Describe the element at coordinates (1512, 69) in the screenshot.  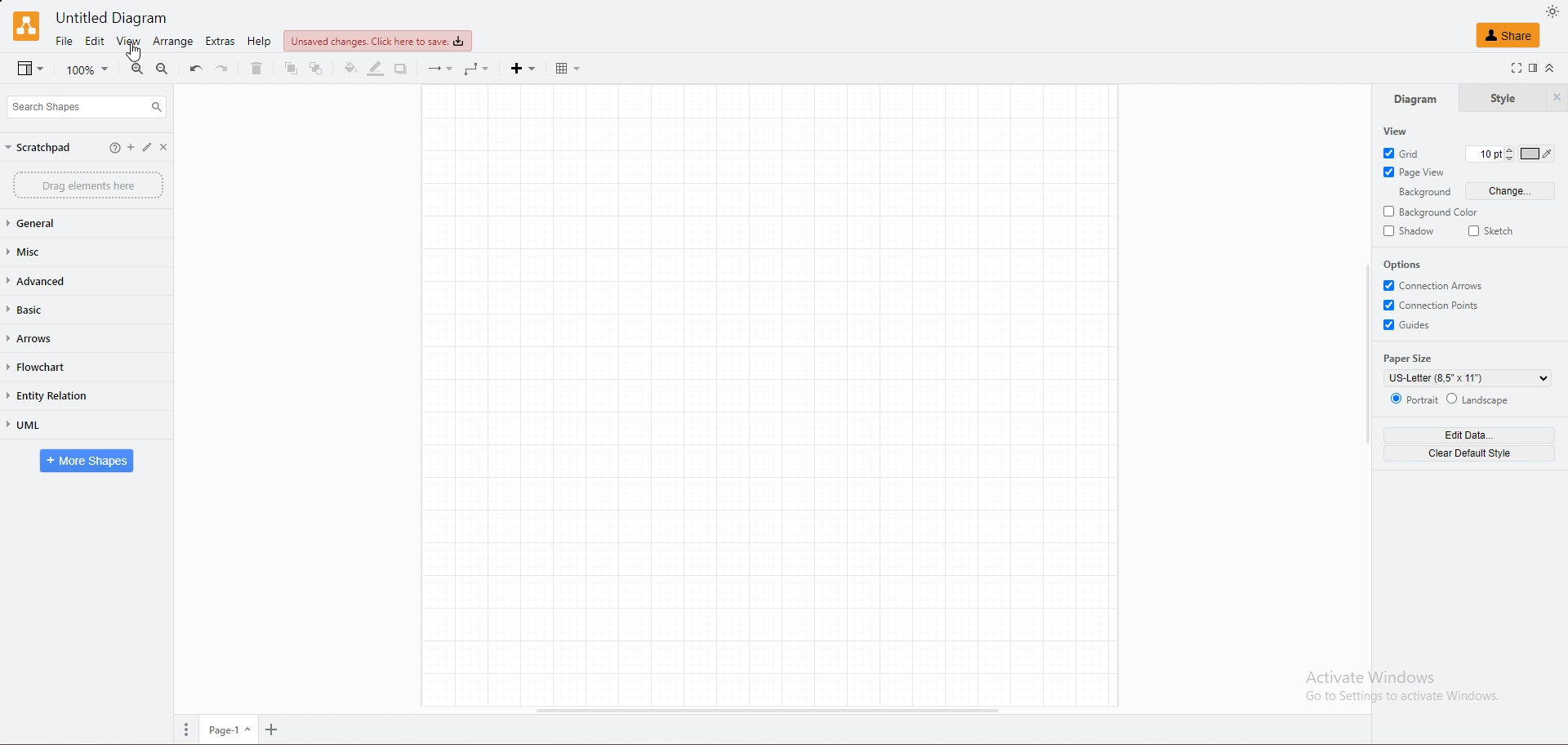
I see `full screen` at that location.